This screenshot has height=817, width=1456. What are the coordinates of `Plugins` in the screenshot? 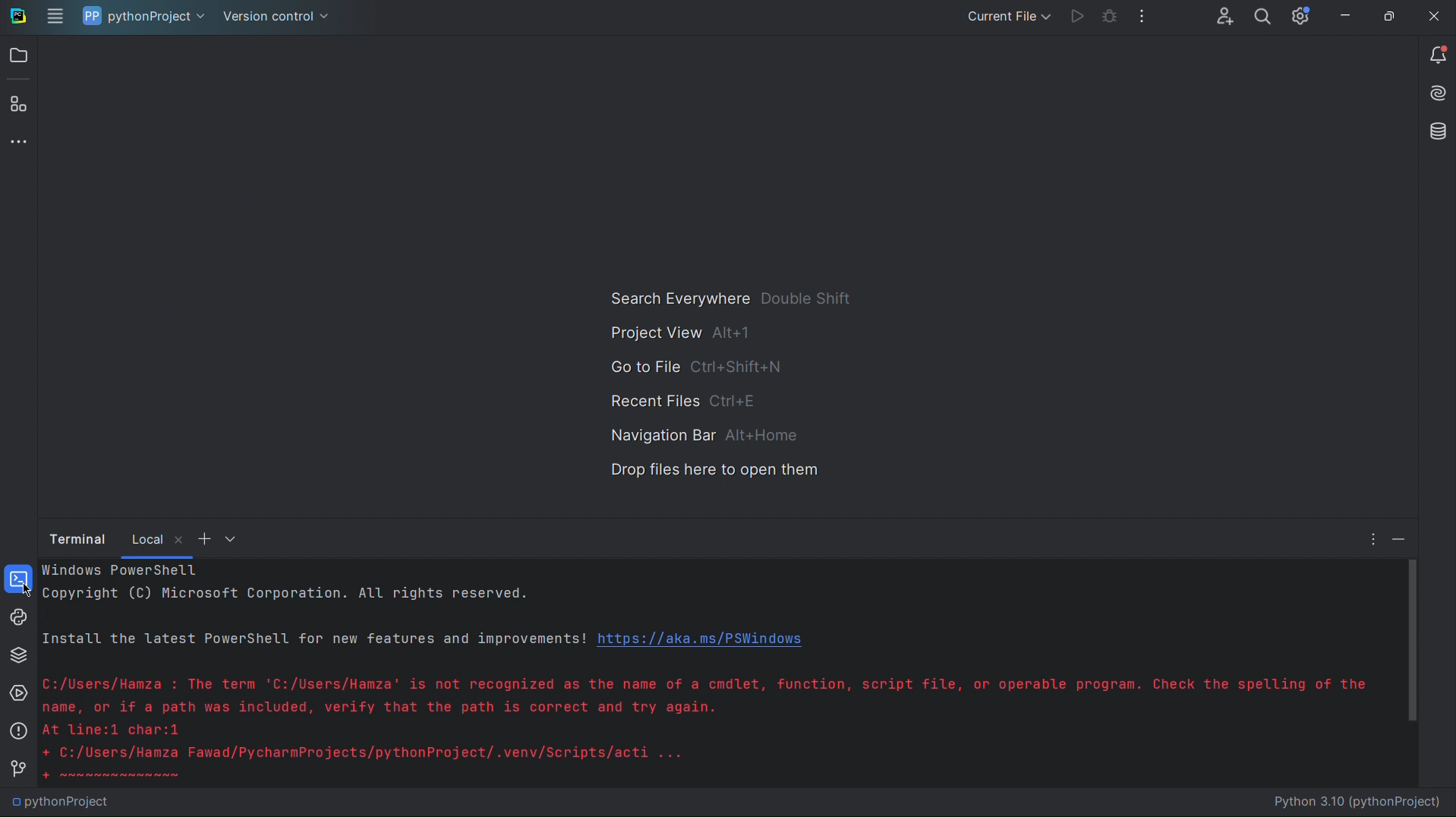 It's located at (19, 99).